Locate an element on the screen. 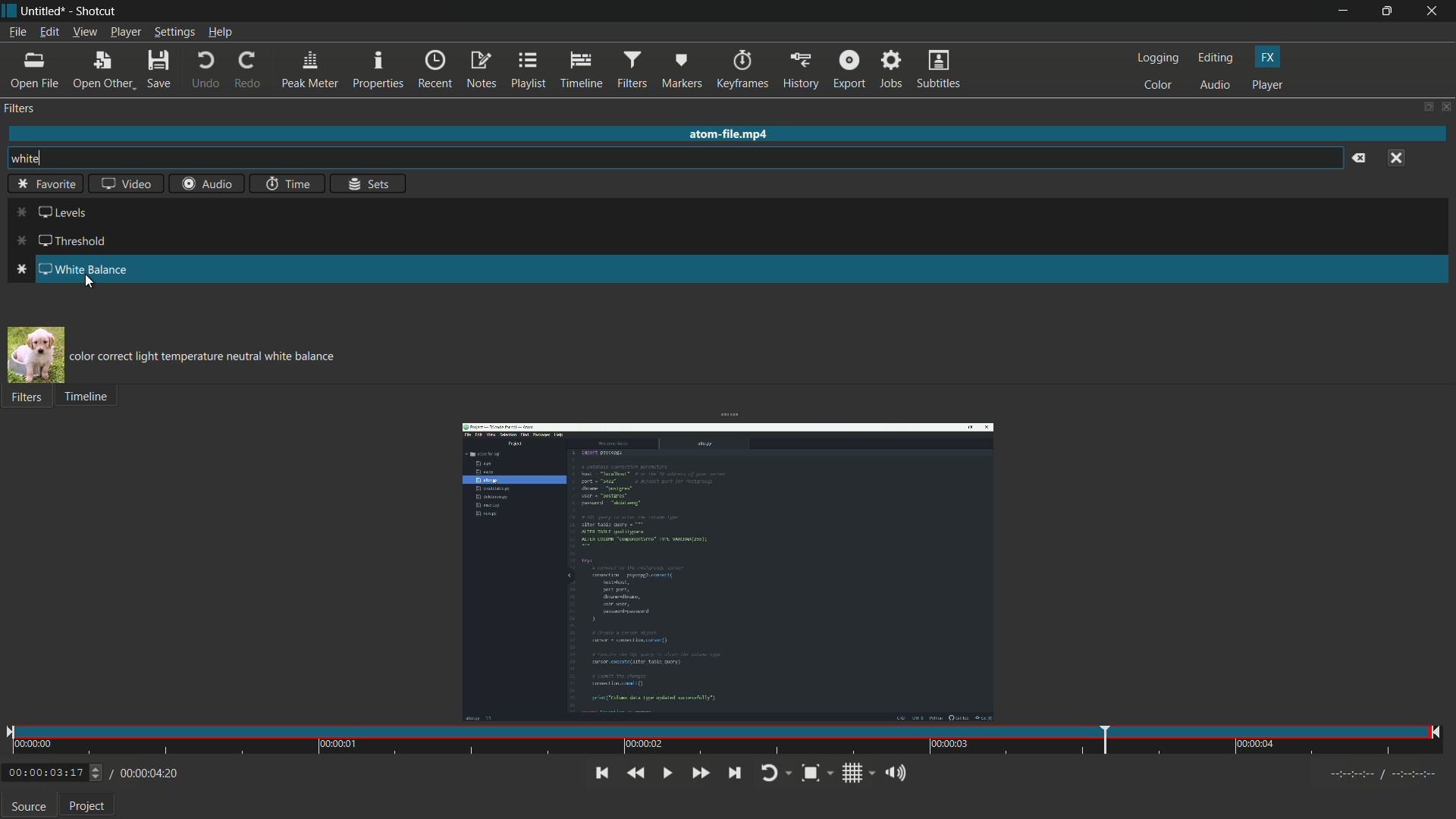 This screenshot has width=1456, height=819. quickly play forward is located at coordinates (700, 773).